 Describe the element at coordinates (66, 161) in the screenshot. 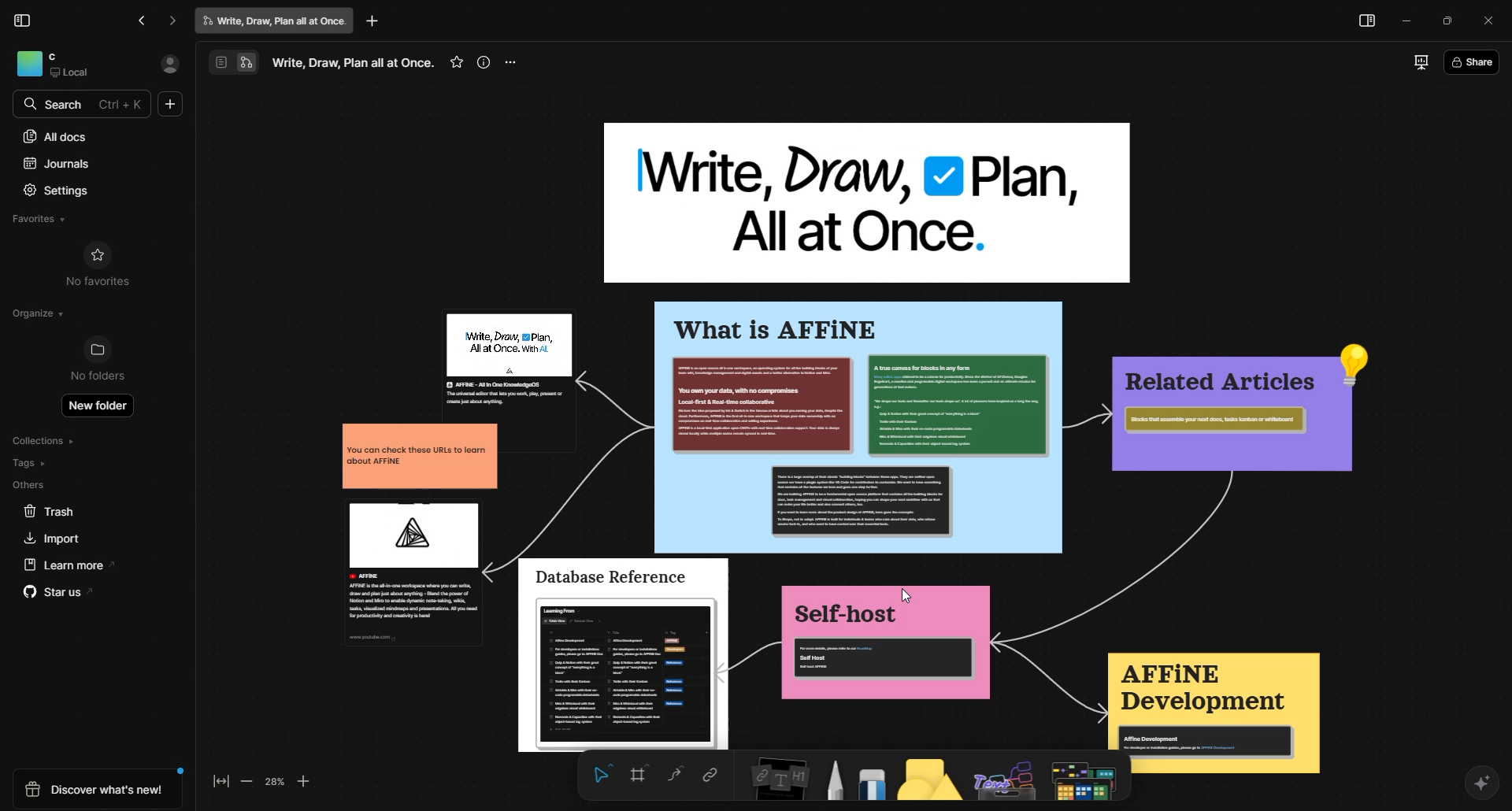

I see `journals` at that location.